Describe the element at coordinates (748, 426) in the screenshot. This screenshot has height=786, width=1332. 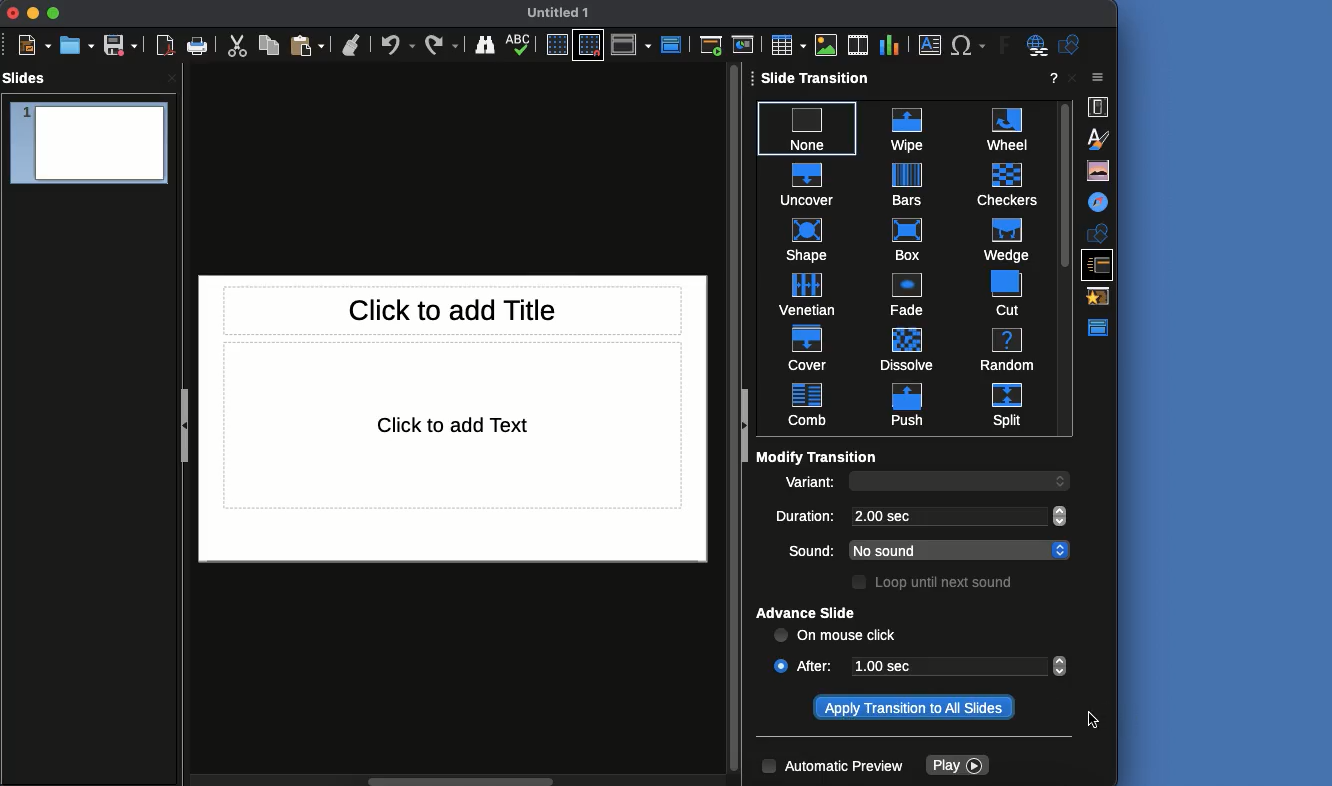
I see `Collapse` at that location.